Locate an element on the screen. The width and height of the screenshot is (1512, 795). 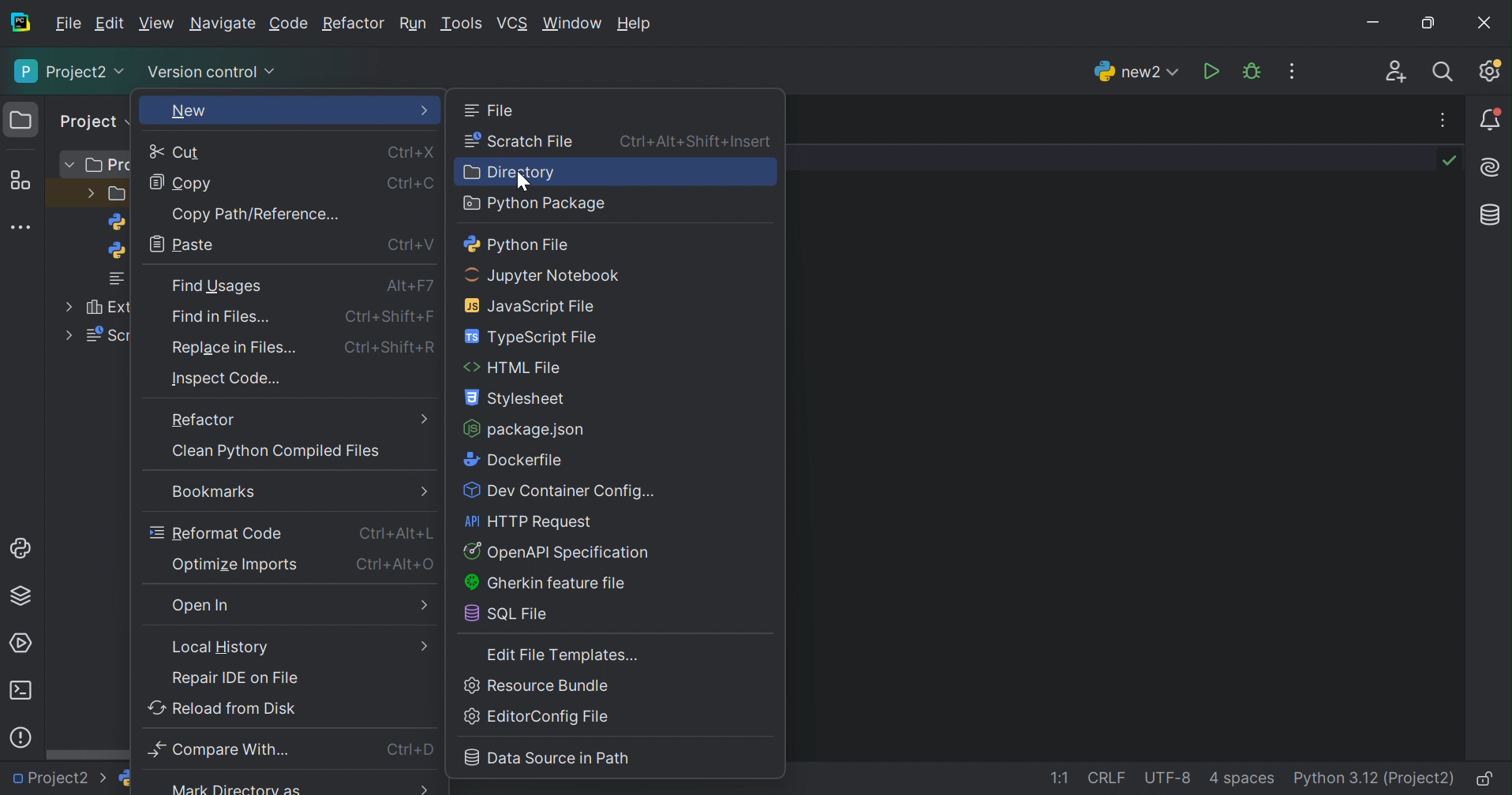
Dev container config is located at coordinates (566, 492).